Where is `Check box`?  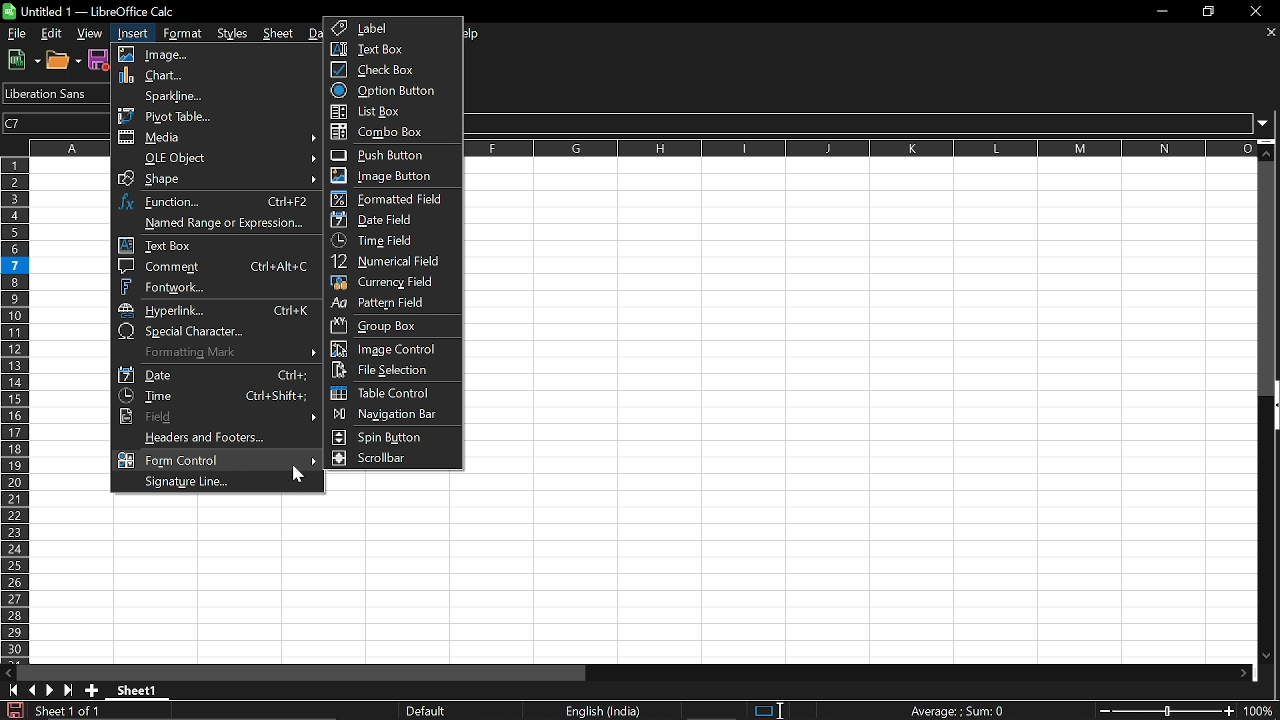 Check box is located at coordinates (384, 69).